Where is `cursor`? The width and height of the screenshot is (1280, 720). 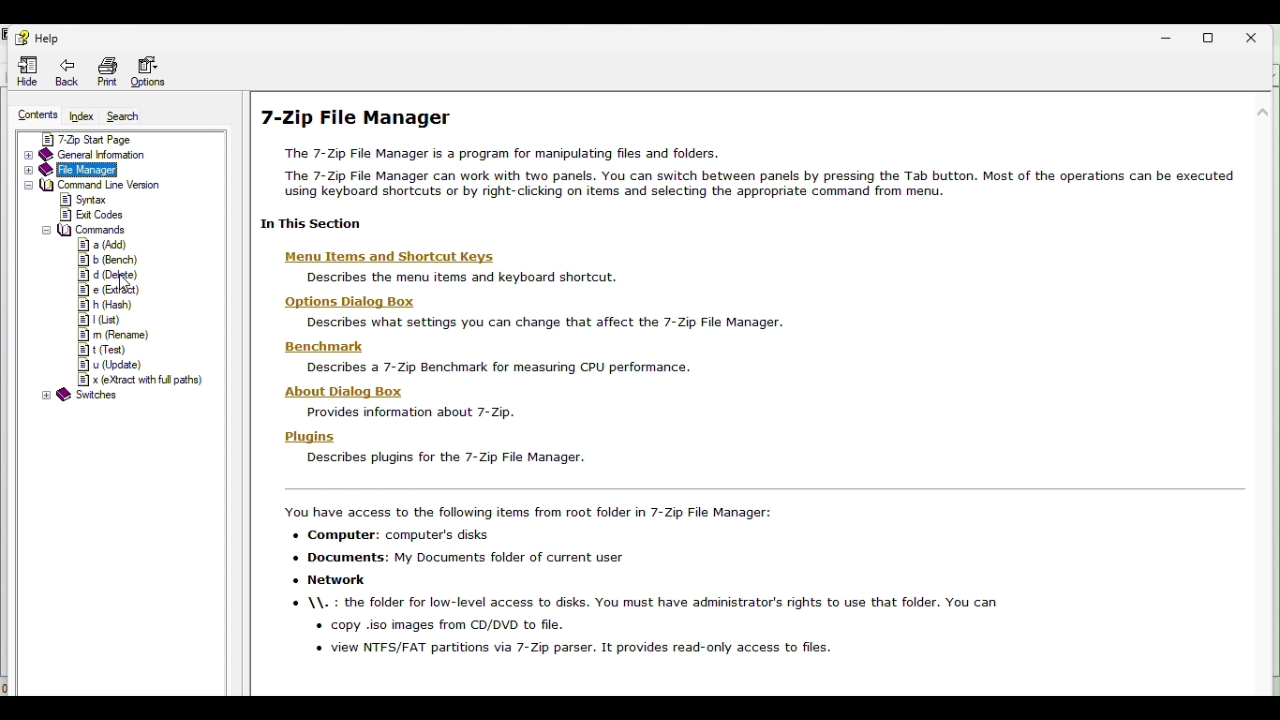
cursor is located at coordinates (125, 286).